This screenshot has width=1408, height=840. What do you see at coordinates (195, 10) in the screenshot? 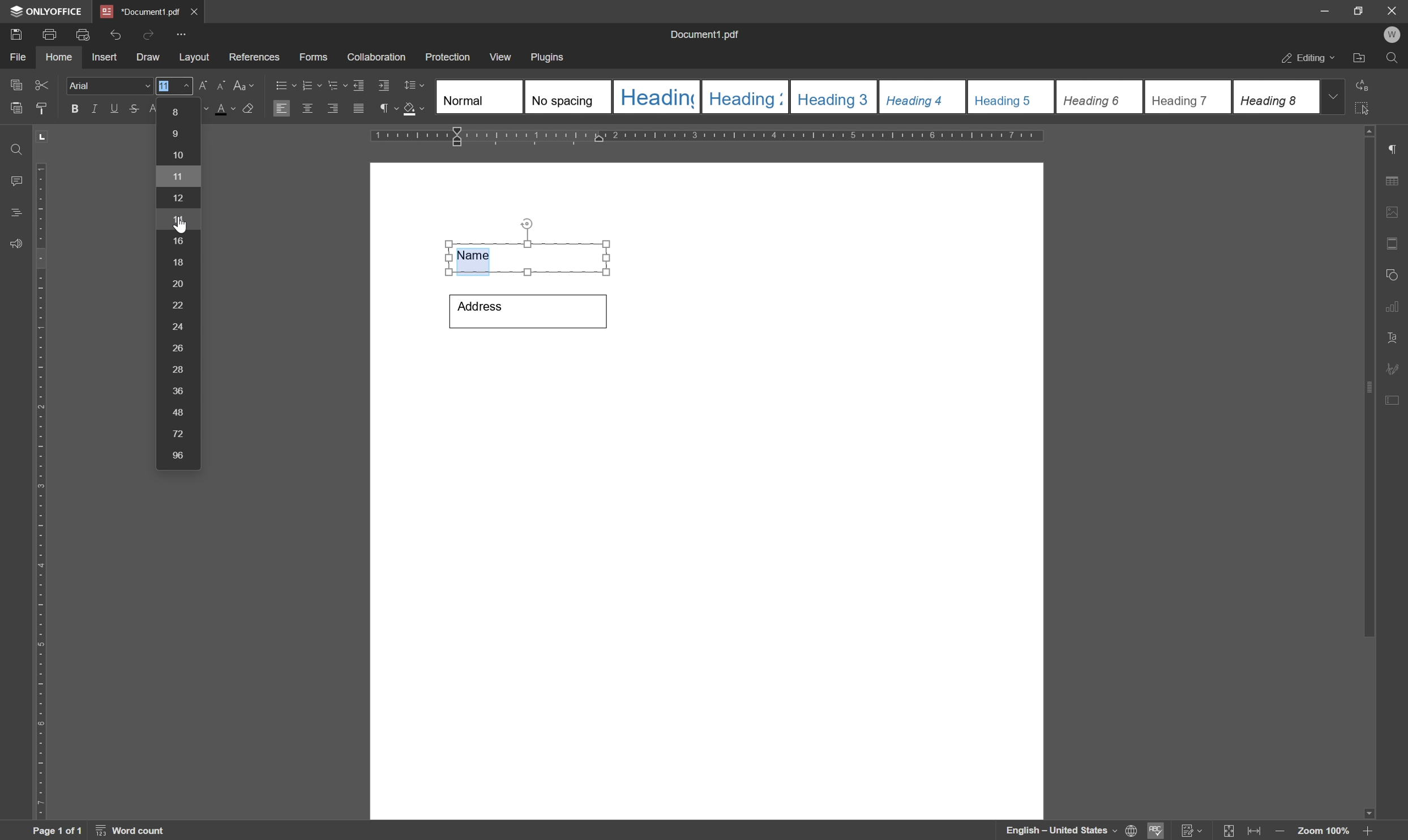
I see `close` at bounding box center [195, 10].